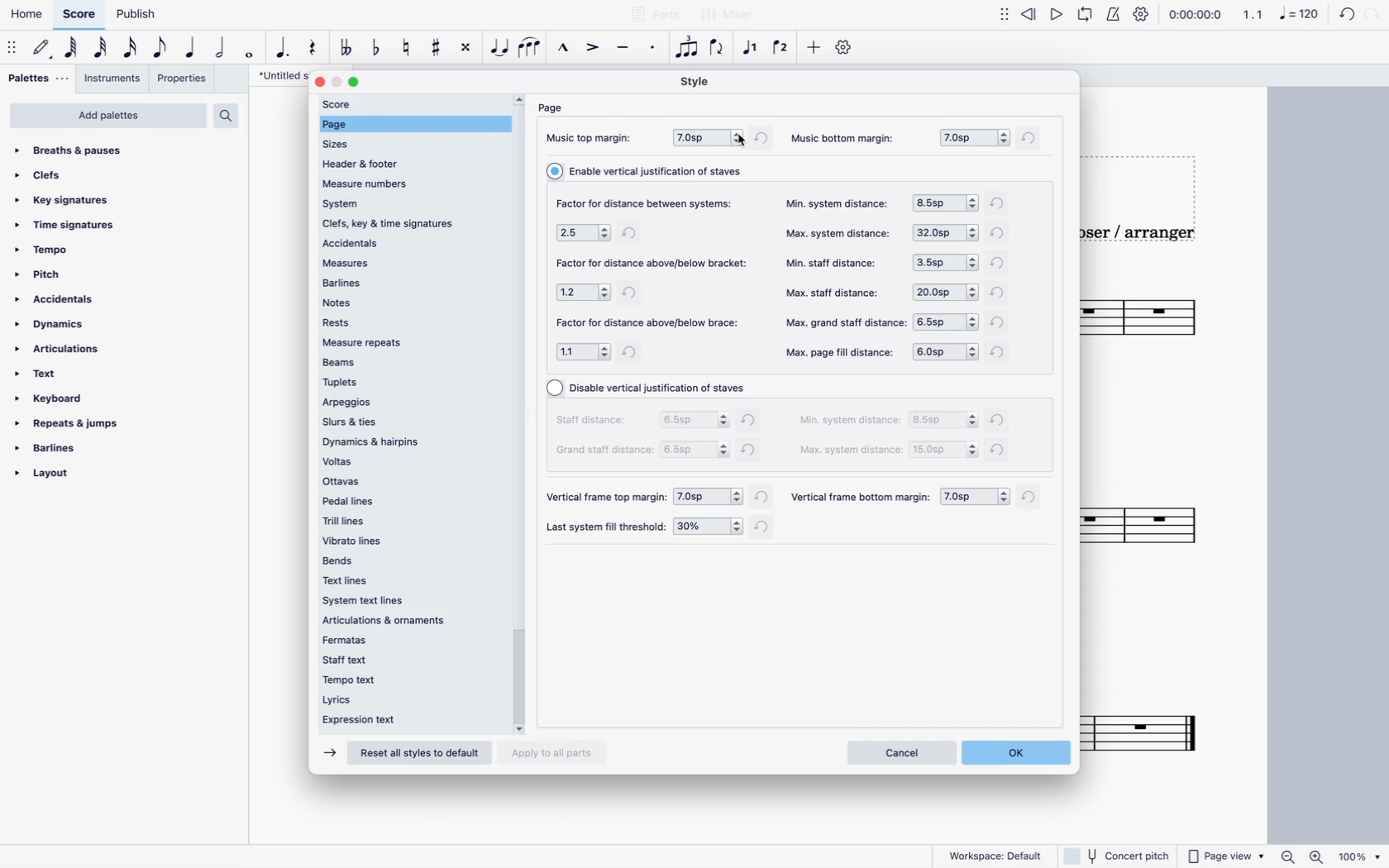 The image size is (1389, 868). Describe the element at coordinates (379, 163) in the screenshot. I see `header & footer` at that location.